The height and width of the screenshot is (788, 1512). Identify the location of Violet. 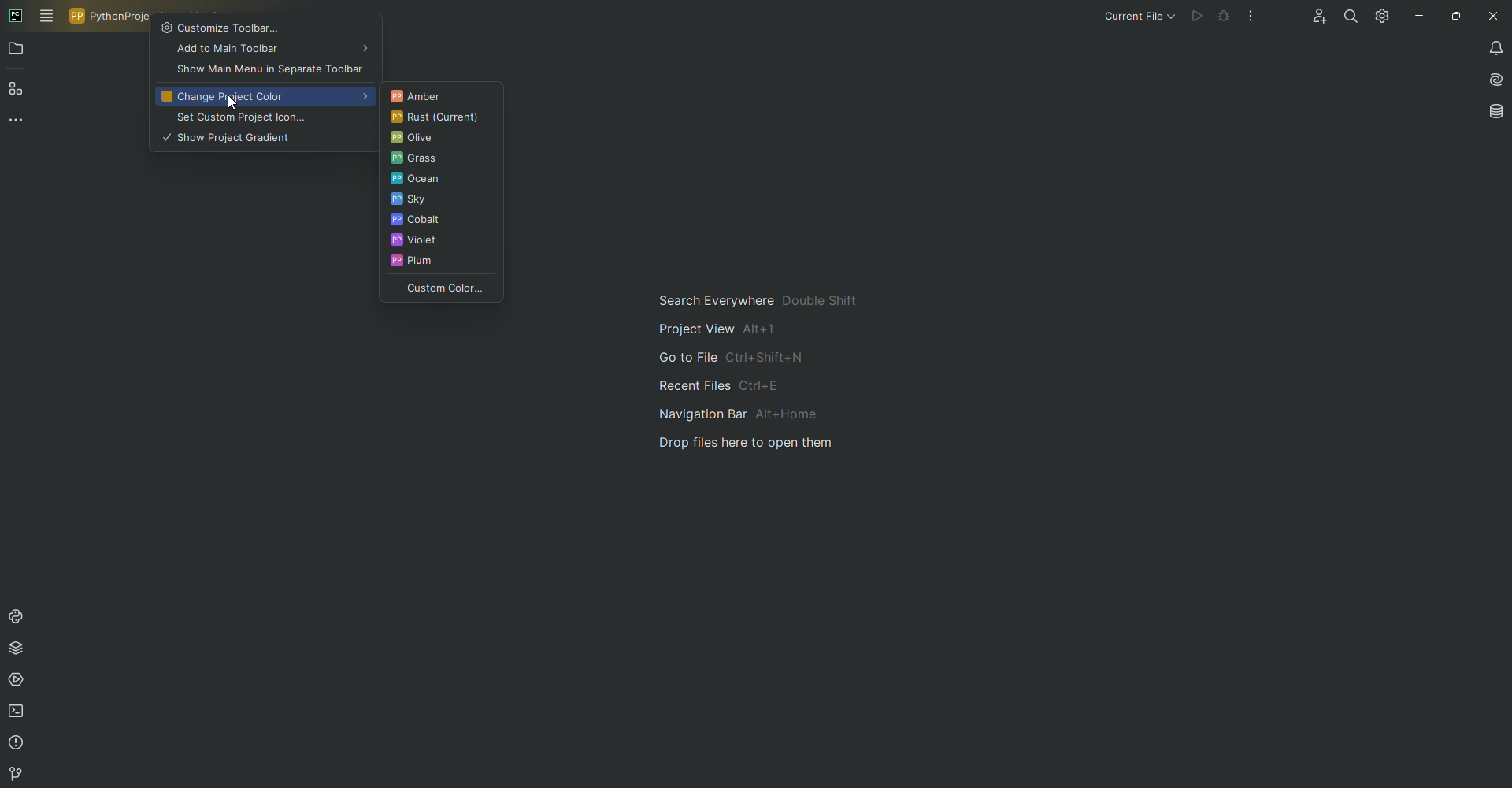
(439, 242).